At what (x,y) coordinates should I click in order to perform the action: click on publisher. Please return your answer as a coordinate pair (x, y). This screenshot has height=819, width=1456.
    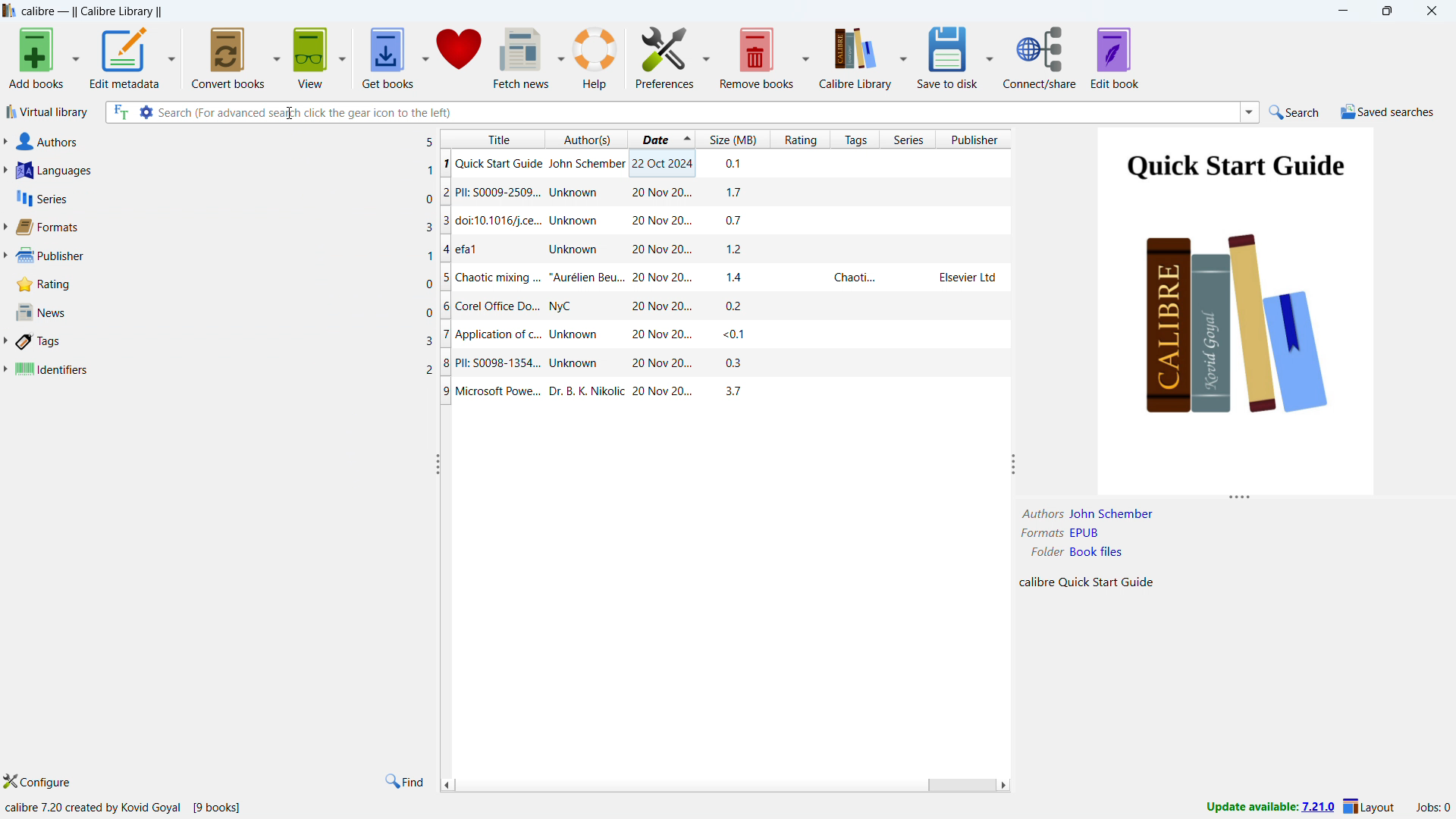
    Looking at the image, I should click on (224, 255).